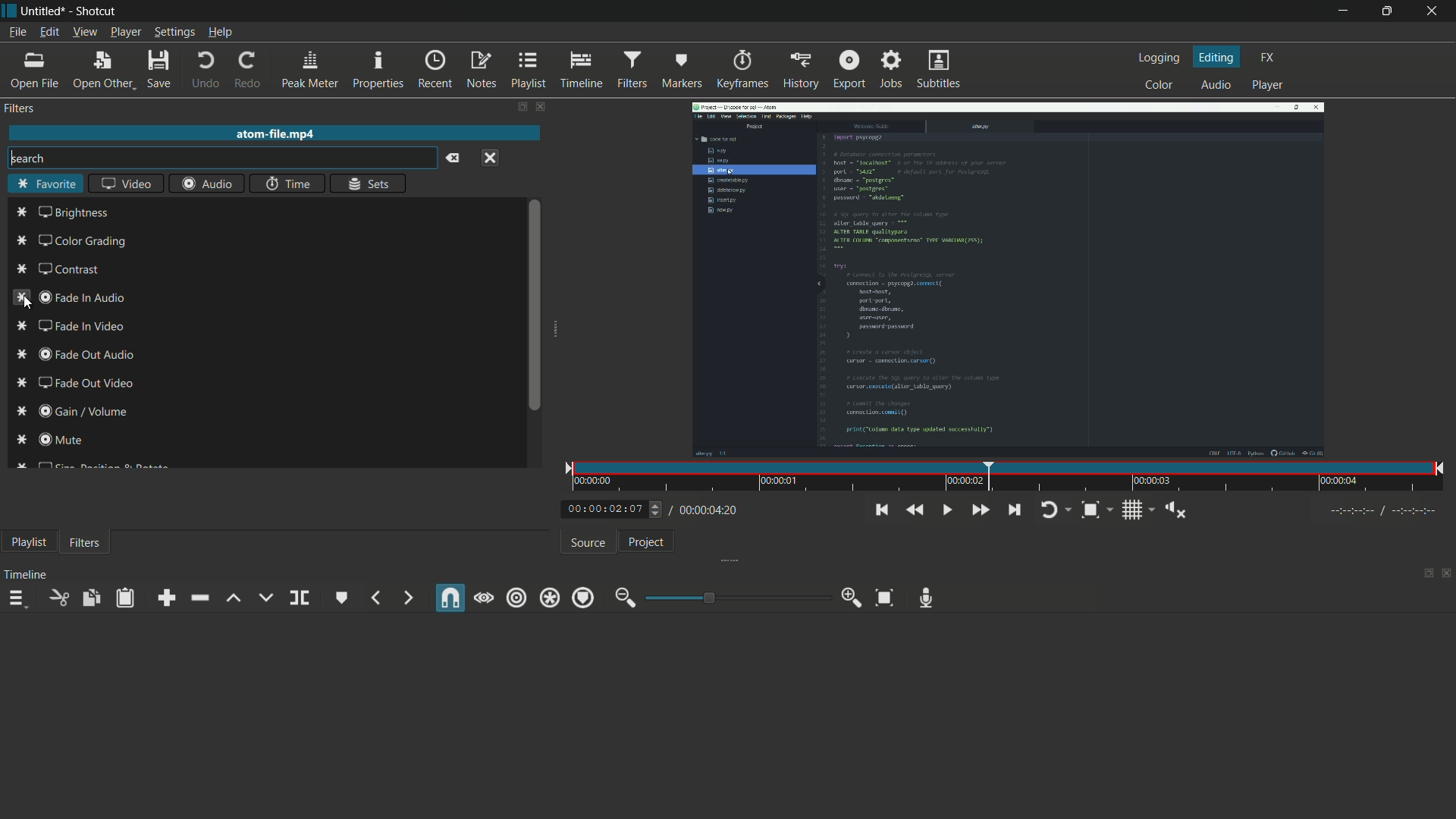 The width and height of the screenshot is (1456, 819). I want to click on playlist, so click(27, 541).